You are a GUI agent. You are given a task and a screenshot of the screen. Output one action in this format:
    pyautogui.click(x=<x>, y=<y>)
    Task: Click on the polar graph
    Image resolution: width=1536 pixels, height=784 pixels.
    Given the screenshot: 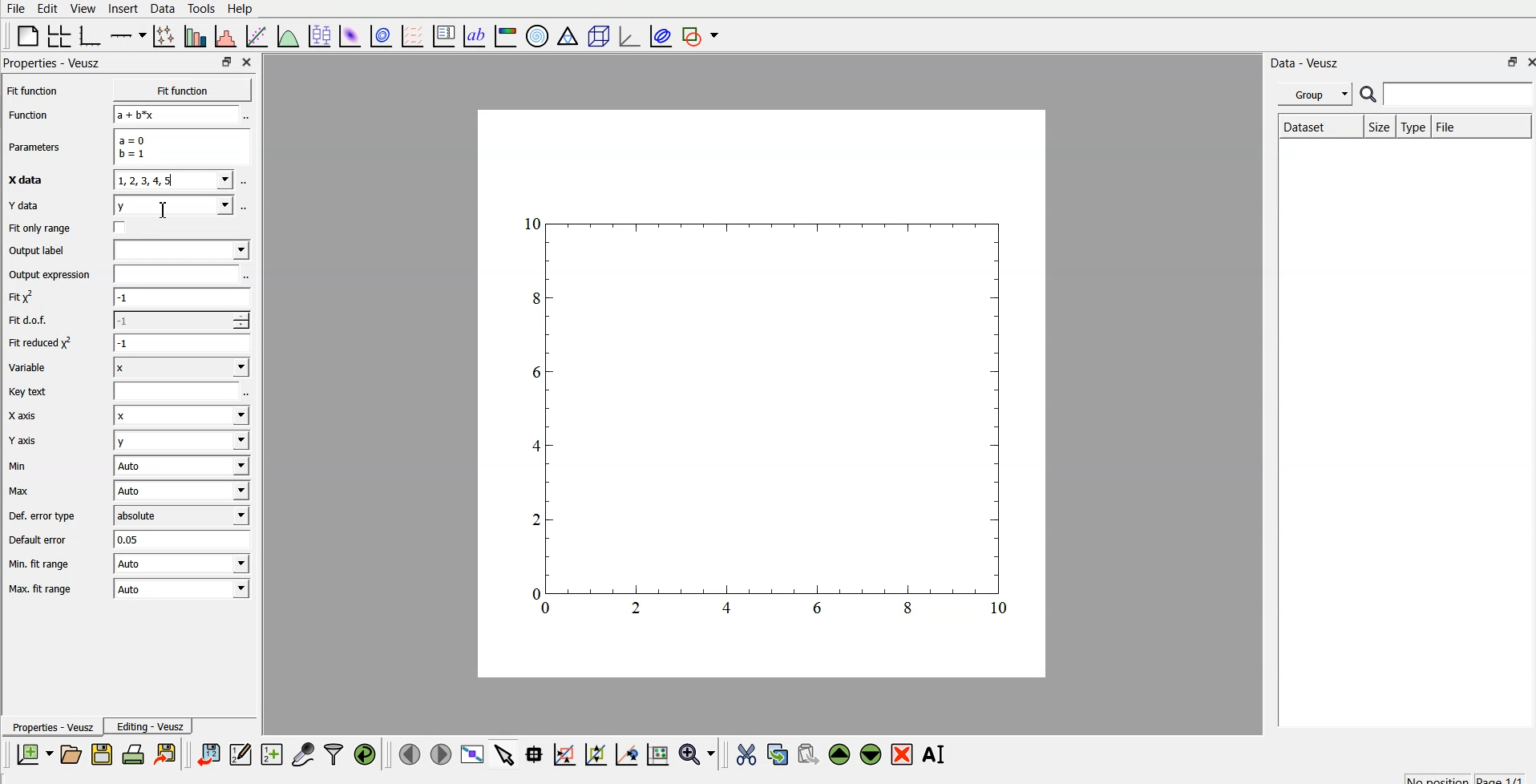 What is the action you would take?
    pyautogui.click(x=539, y=37)
    